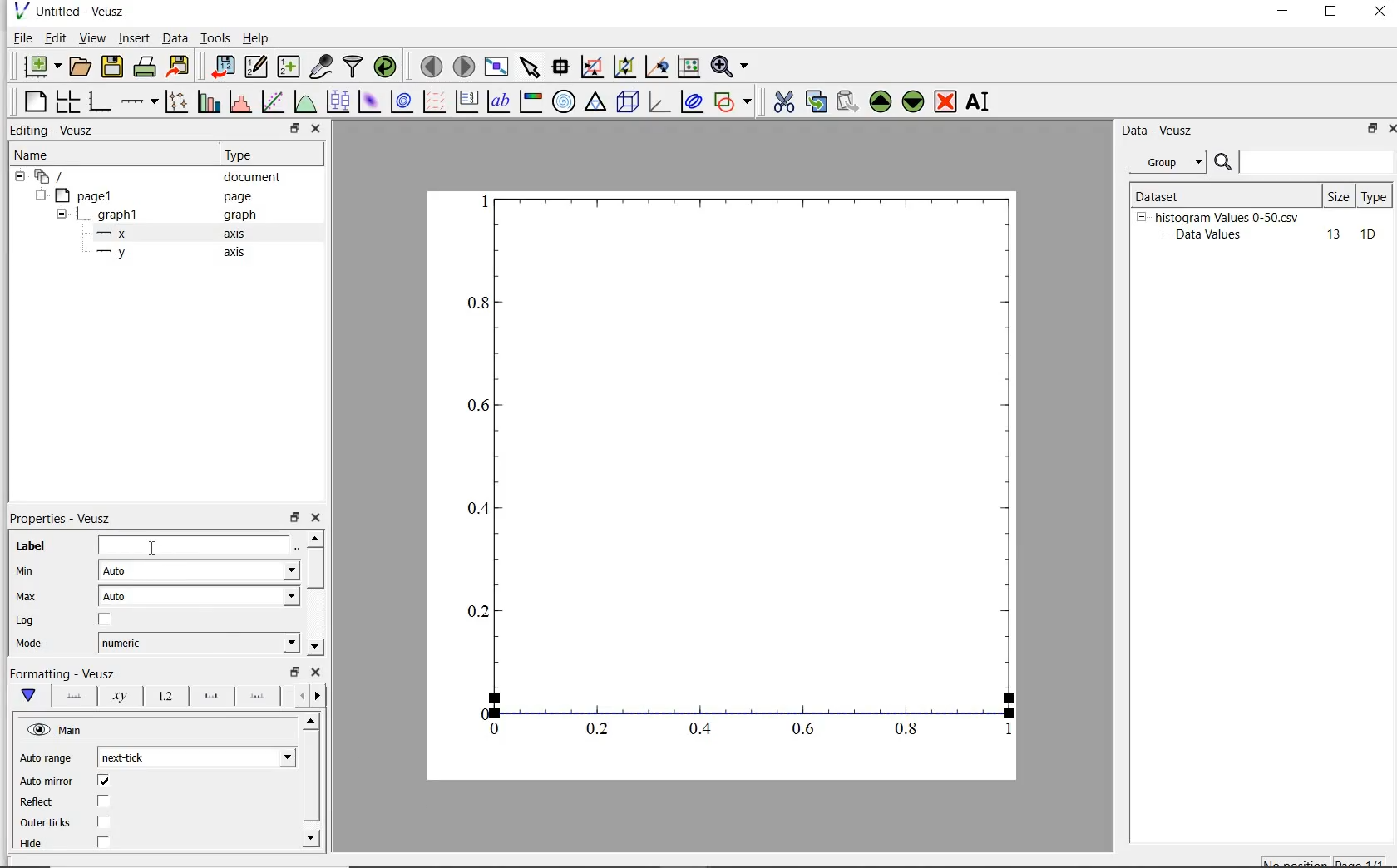  What do you see at coordinates (501, 100) in the screenshot?
I see `text label` at bounding box center [501, 100].